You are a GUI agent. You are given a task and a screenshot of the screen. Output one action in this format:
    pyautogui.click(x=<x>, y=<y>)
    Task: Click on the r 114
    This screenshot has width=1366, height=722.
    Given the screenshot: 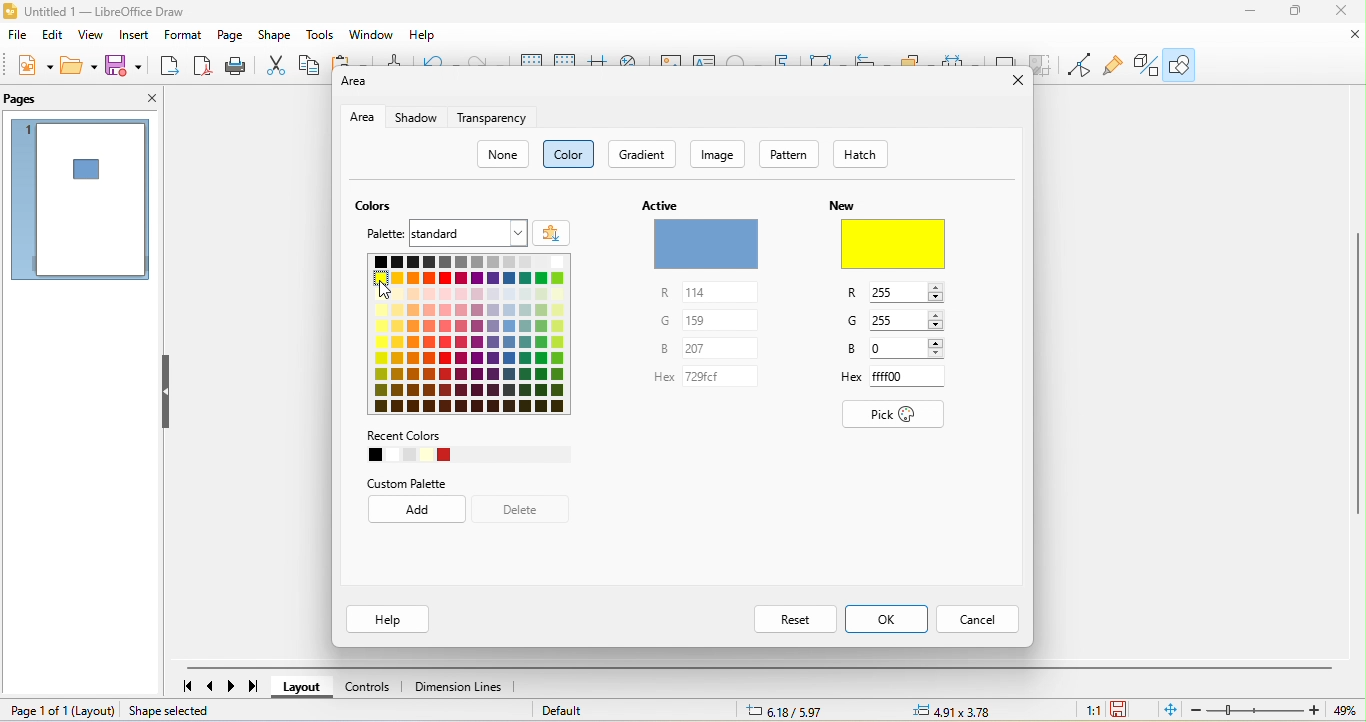 What is the action you would take?
    pyautogui.click(x=711, y=293)
    